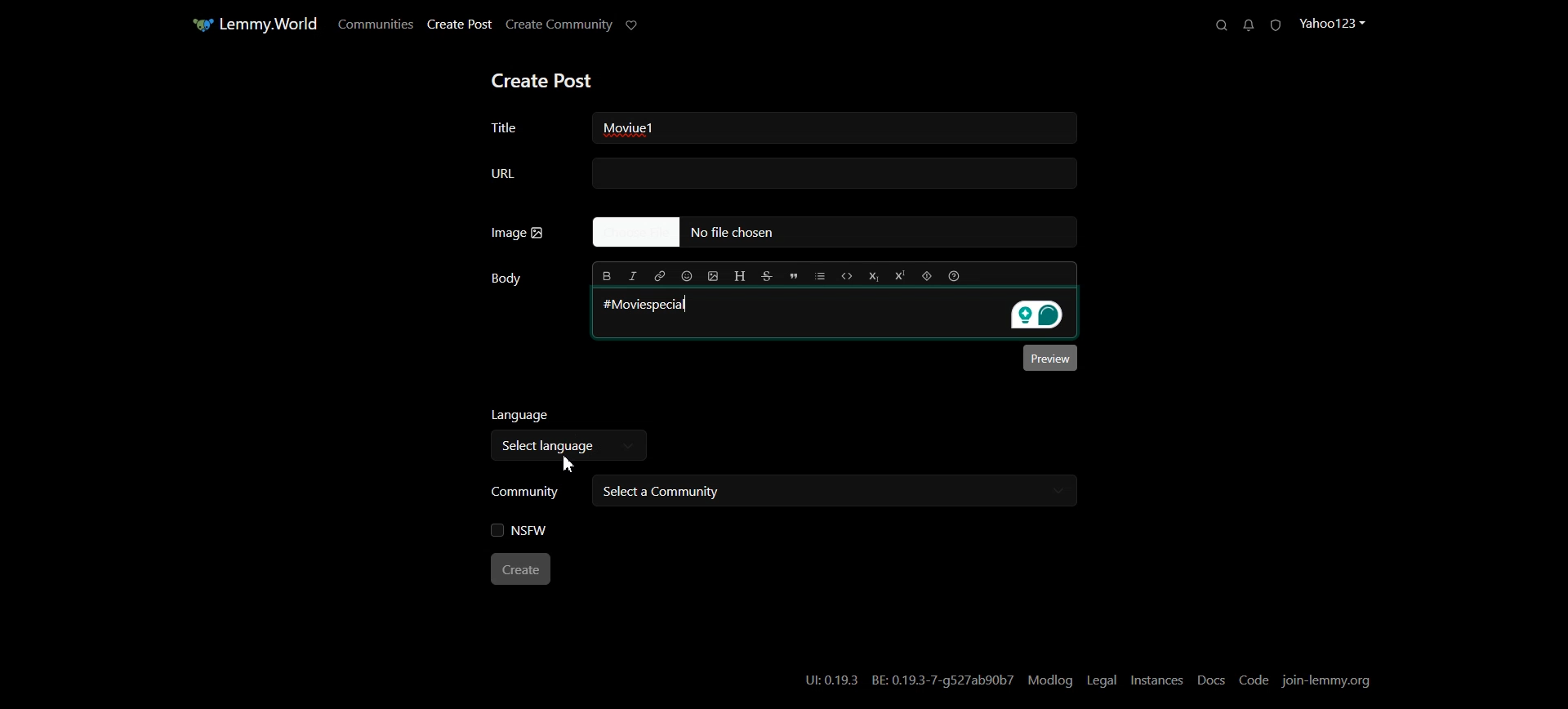 The image size is (1568, 709). What do you see at coordinates (1248, 25) in the screenshot?
I see `Unread Messages` at bounding box center [1248, 25].